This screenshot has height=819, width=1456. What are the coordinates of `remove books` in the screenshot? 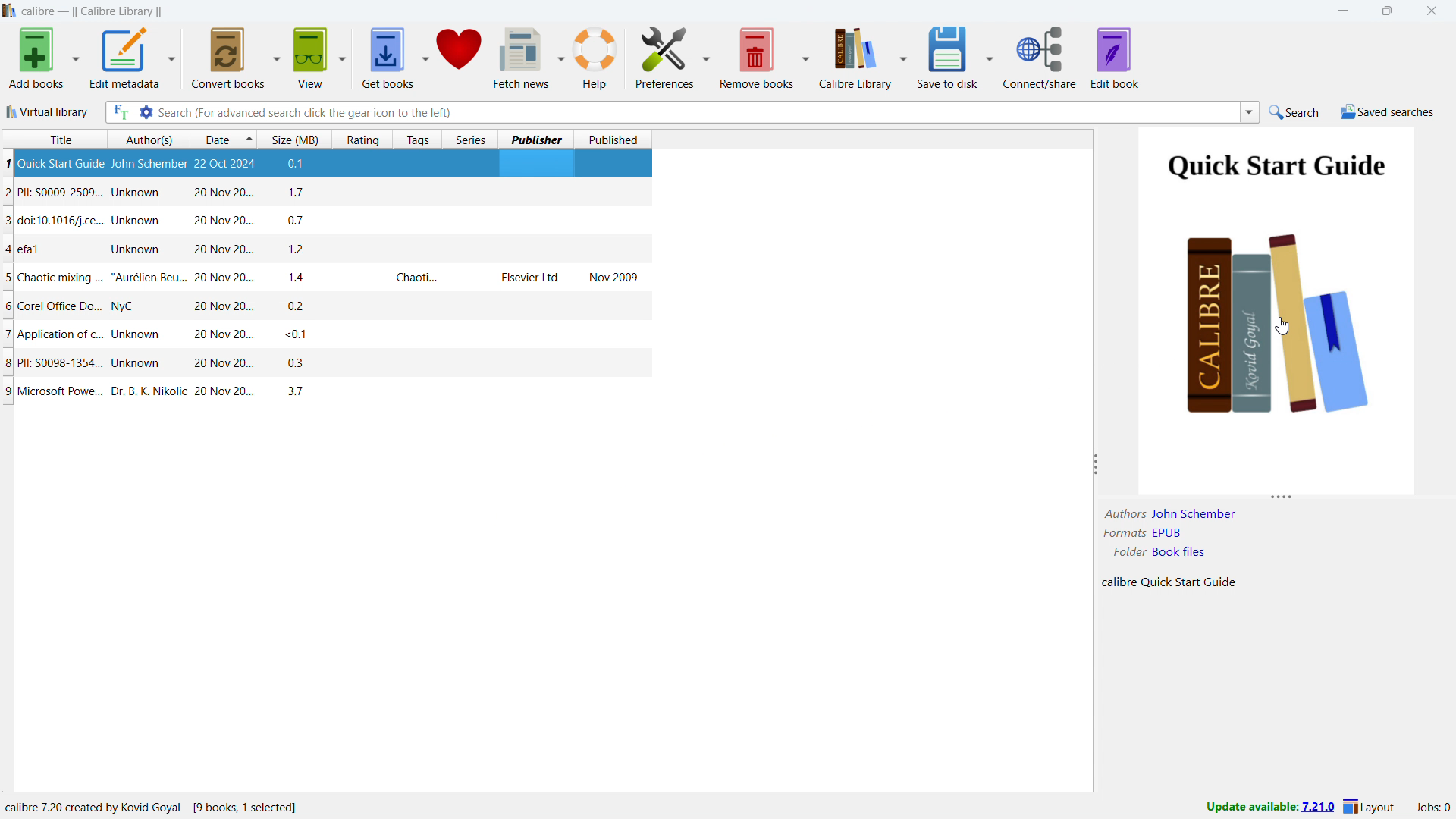 It's located at (758, 57).